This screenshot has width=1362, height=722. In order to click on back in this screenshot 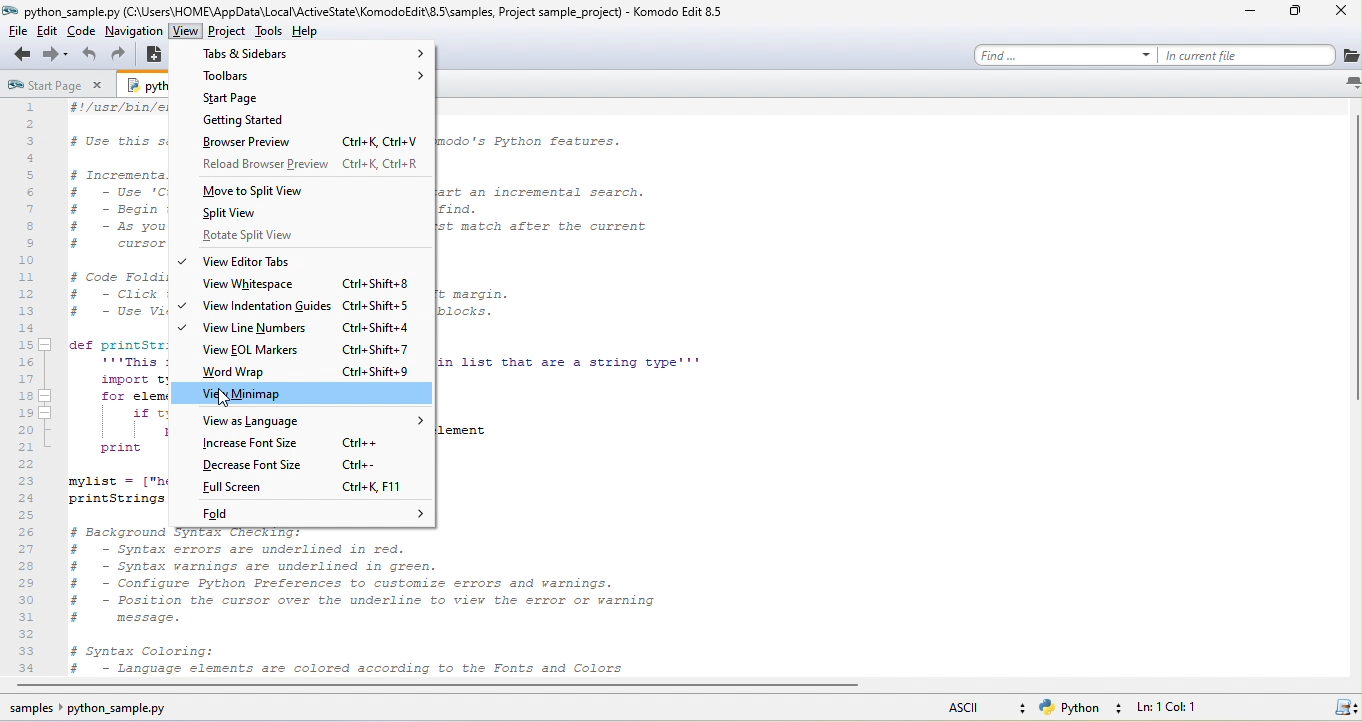, I will do `click(20, 57)`.